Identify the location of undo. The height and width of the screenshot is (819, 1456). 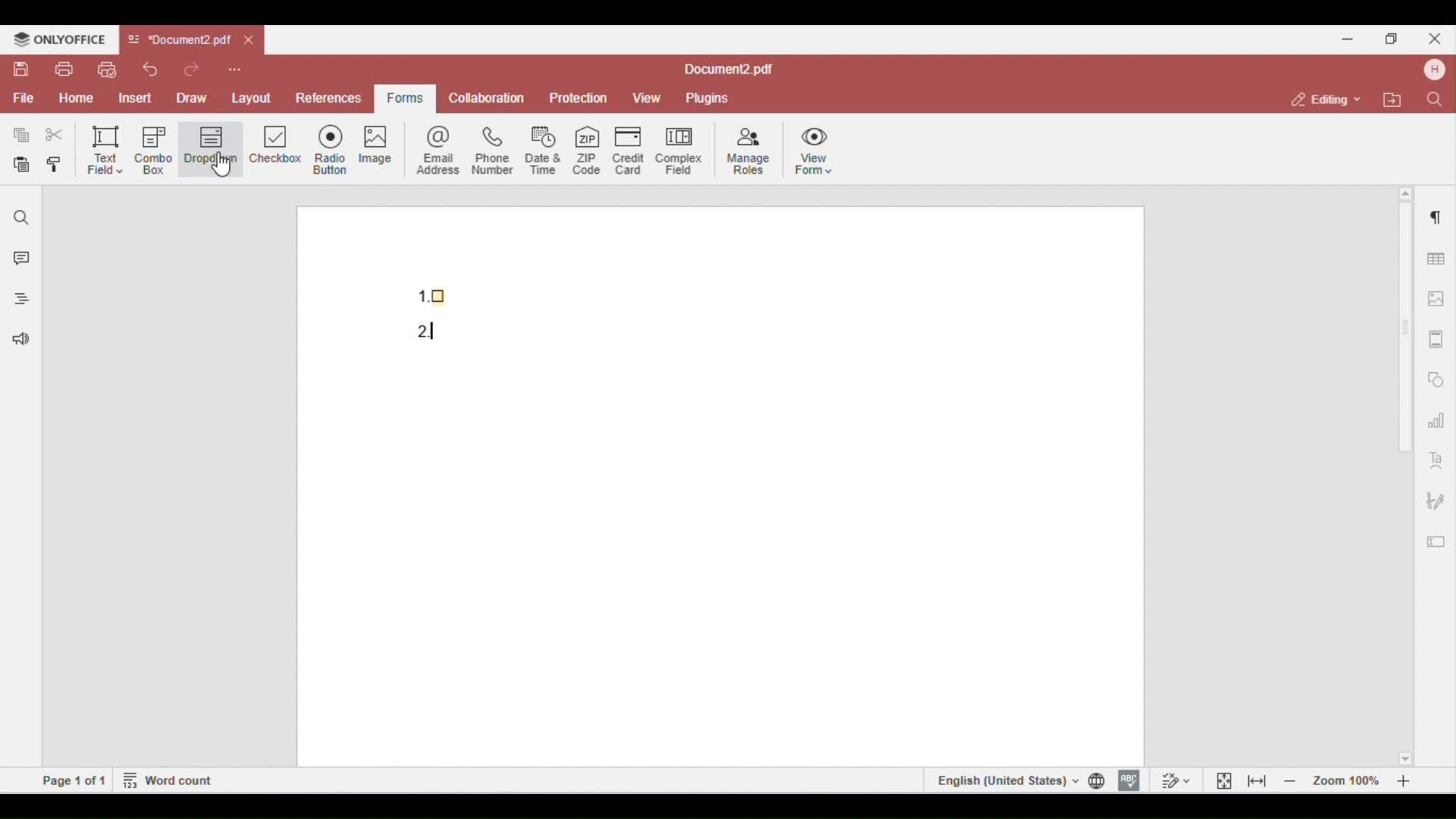
(150, 69).